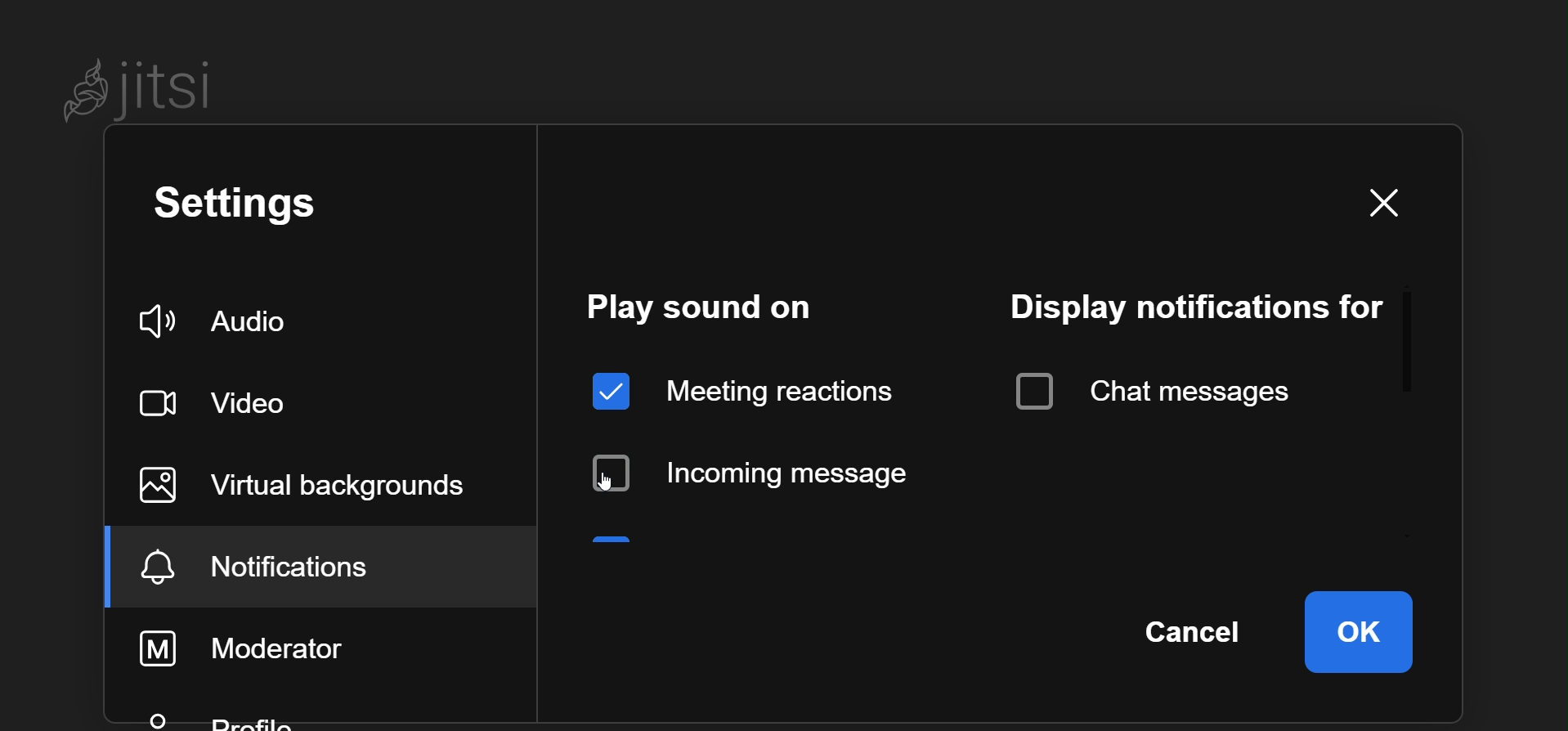 The height and width of the screenshot is (731, 1568). I want to click on setting, so click(246, 208).